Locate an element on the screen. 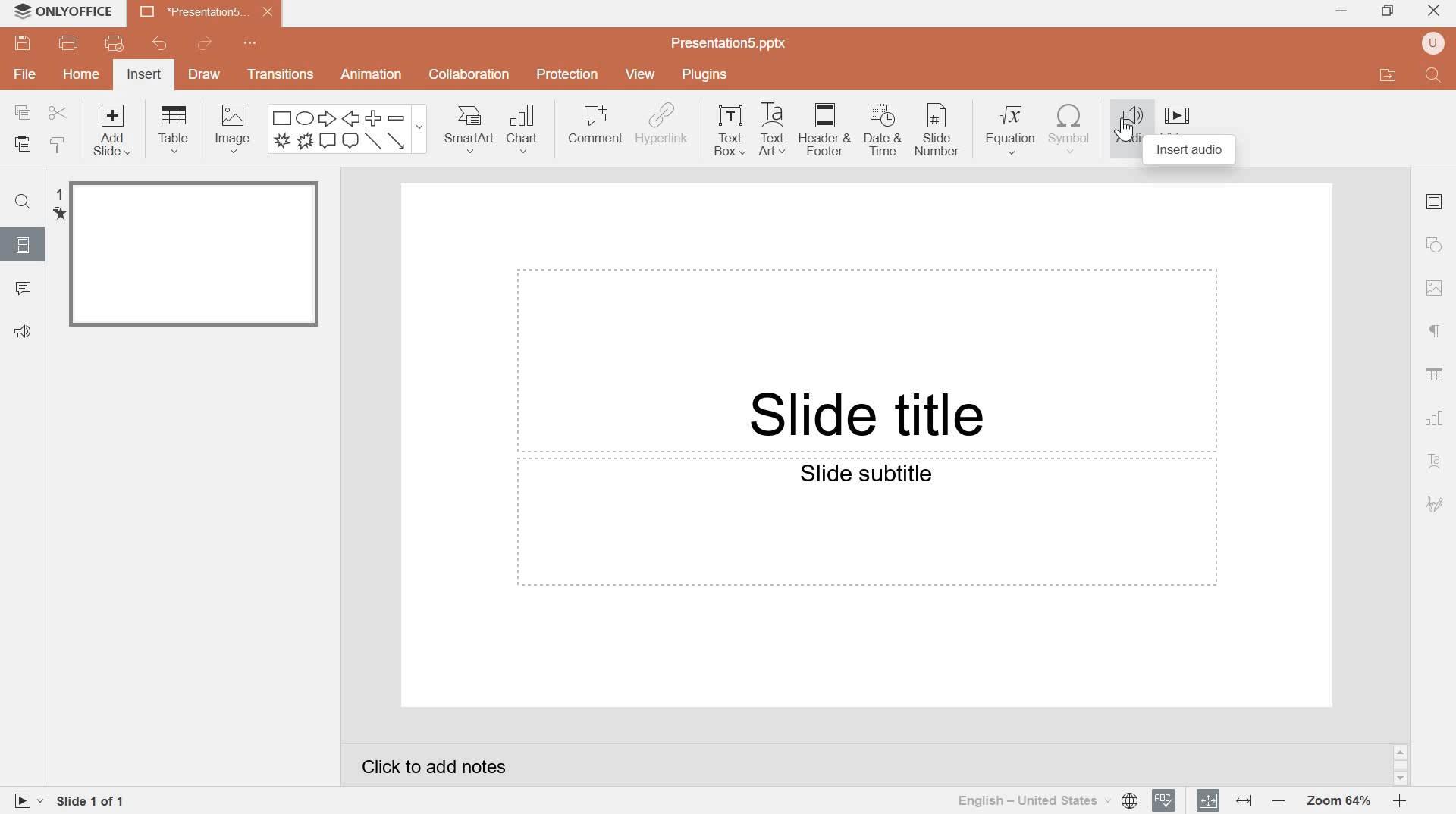 The width and height of the screenshot is (1456, 814). Draw is located at coordinates (204, 76).